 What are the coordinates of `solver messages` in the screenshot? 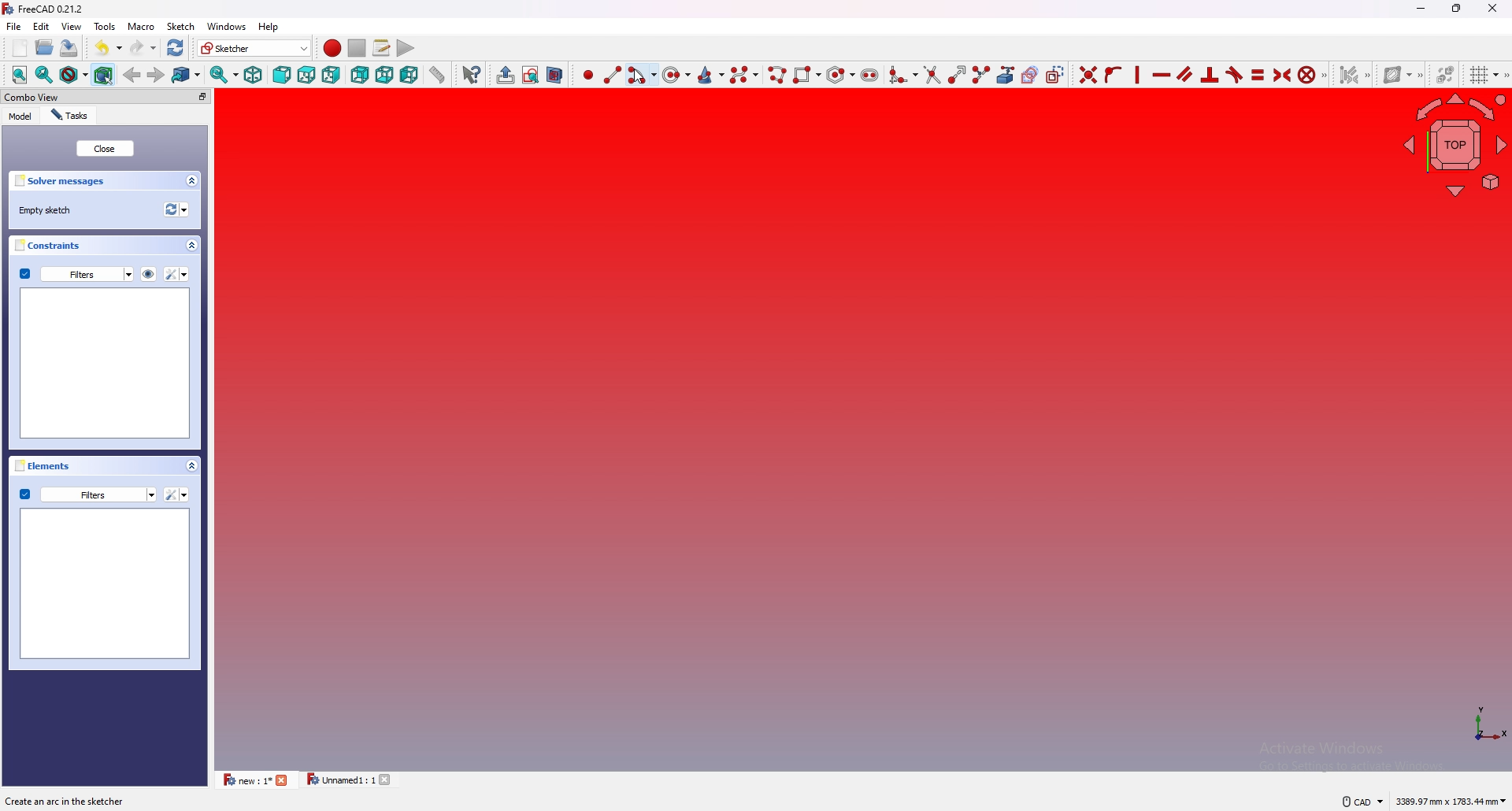 It's located at (66, 181).